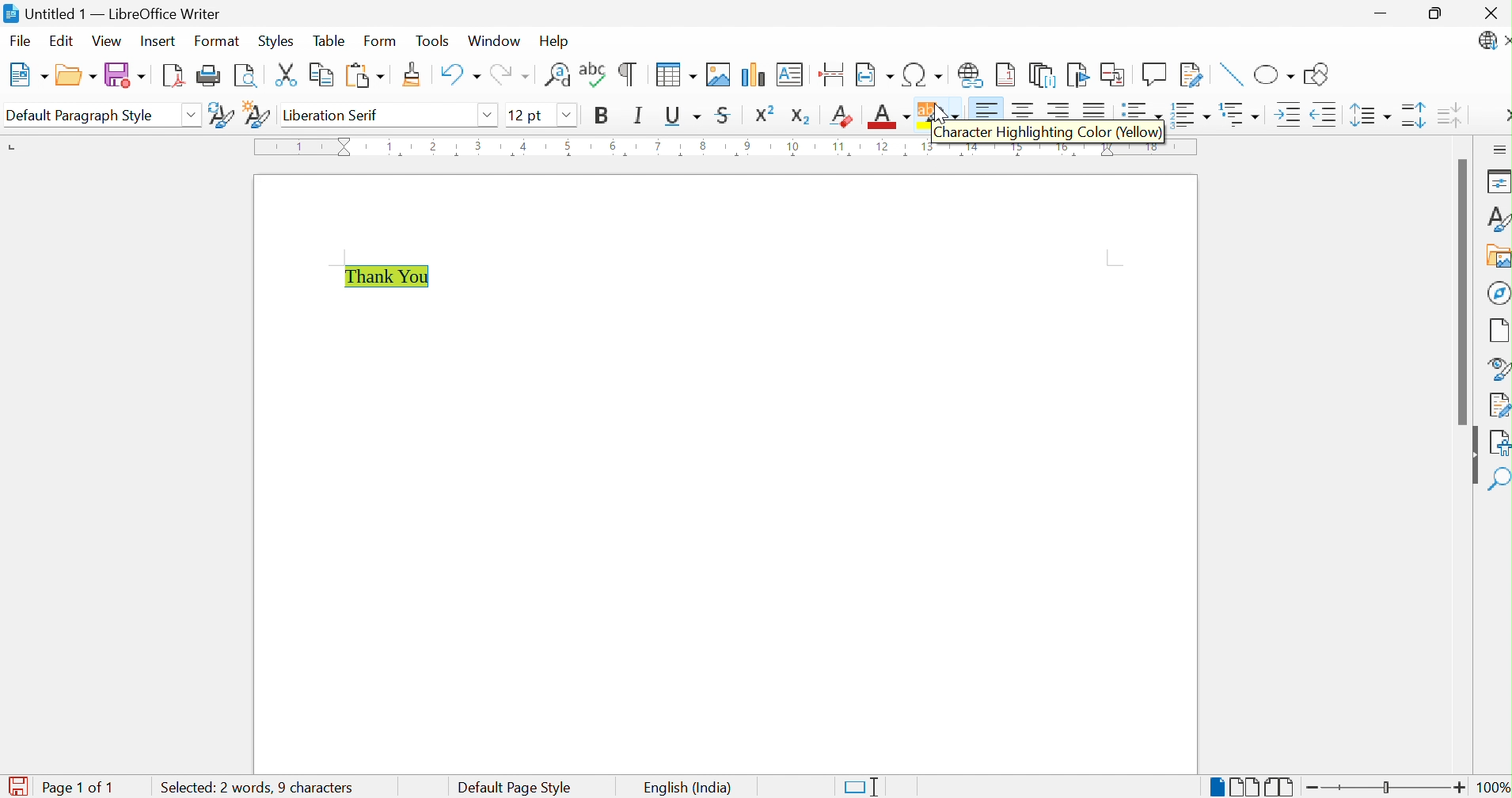 The image size is (1512, 798). What do you see at coordinates (1281, 785) in the screenshot?
I see `Book View` at bounding box center [1281, 785].